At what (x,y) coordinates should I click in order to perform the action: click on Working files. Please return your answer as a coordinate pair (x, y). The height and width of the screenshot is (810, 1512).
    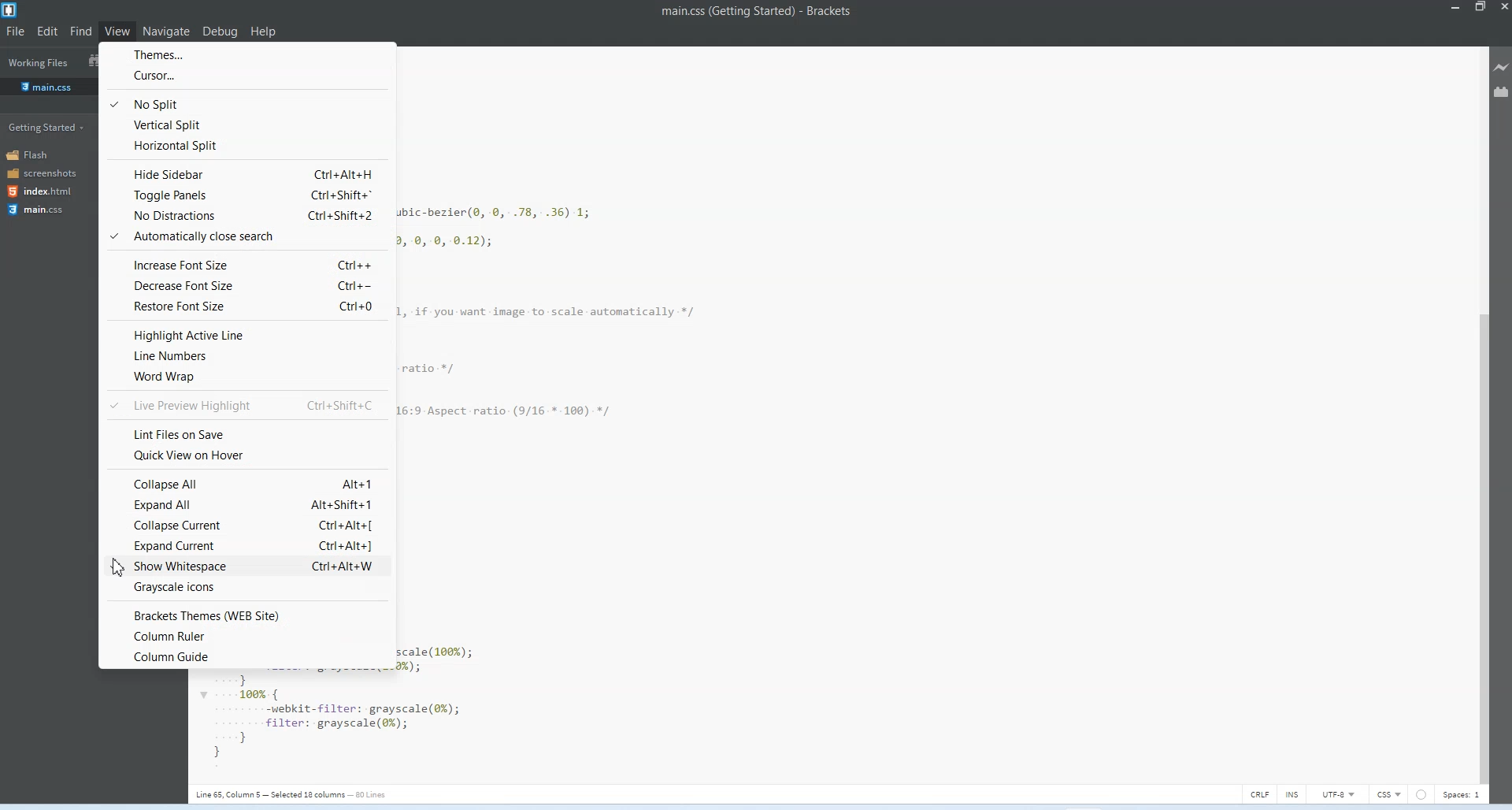
    Looking at the image, I should click on (39, 63).